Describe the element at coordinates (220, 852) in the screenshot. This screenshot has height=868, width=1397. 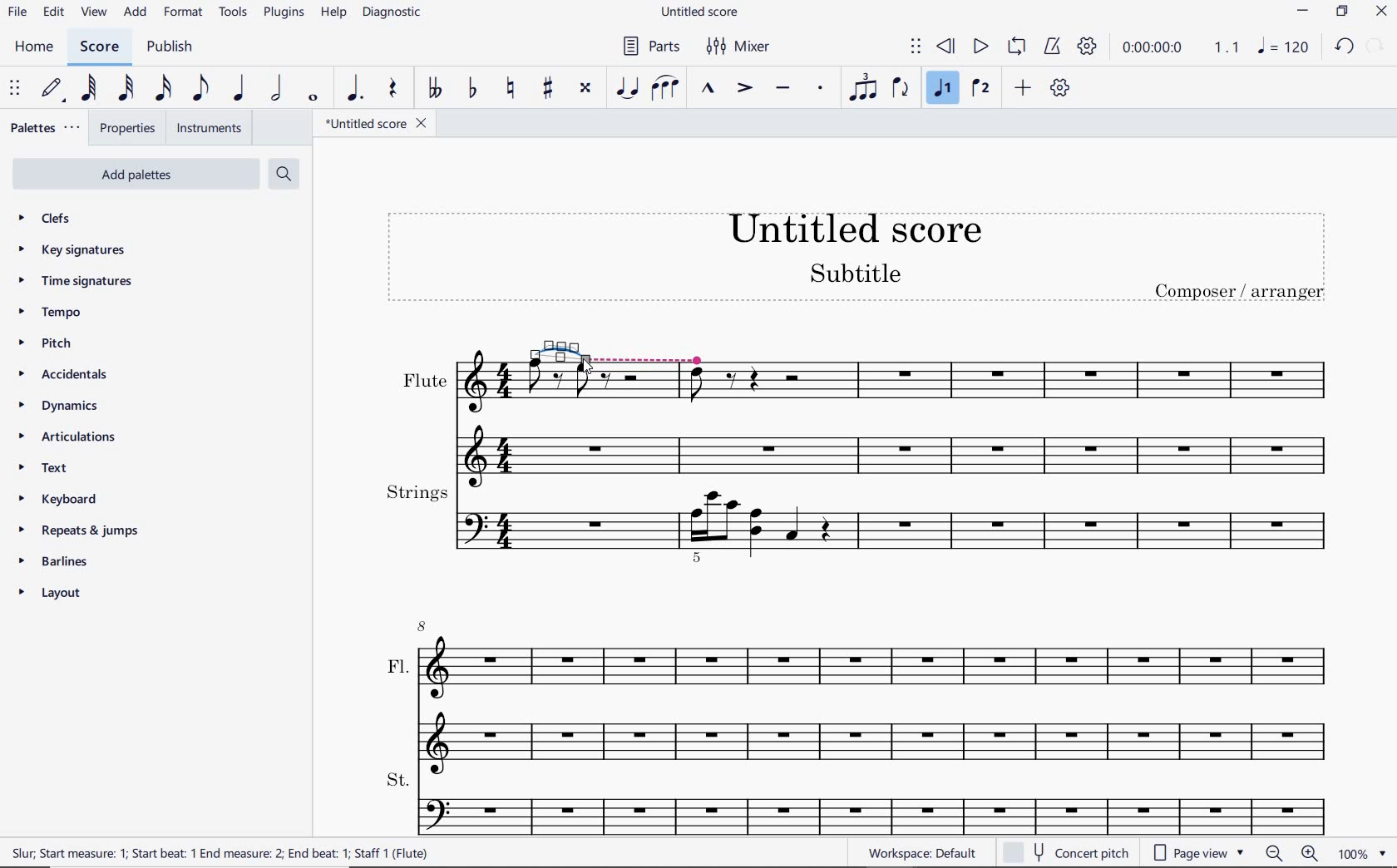
I see `score description` at that location.